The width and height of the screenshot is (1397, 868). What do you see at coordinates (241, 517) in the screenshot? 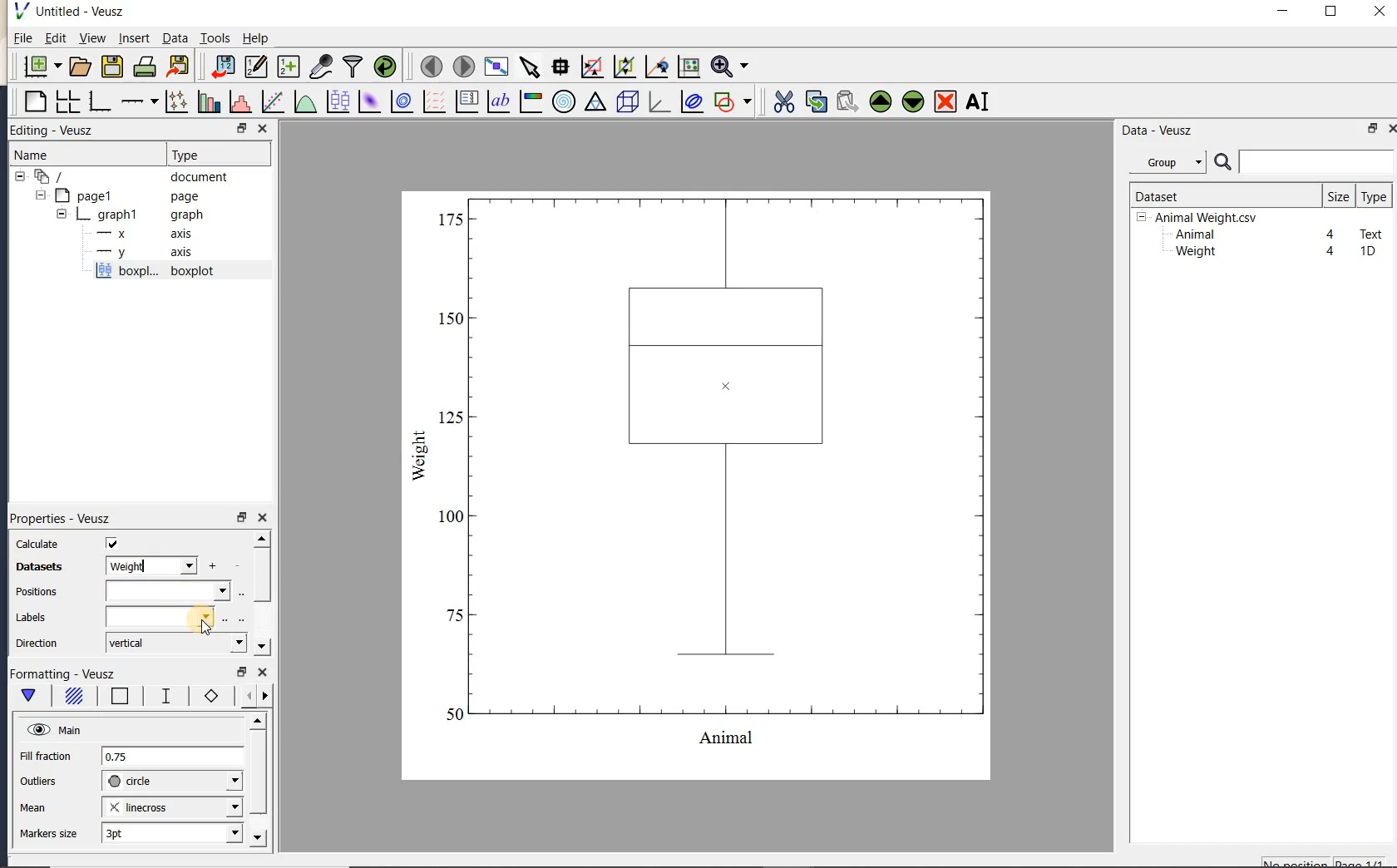
I see `restore` at bounding box center [241, 517].